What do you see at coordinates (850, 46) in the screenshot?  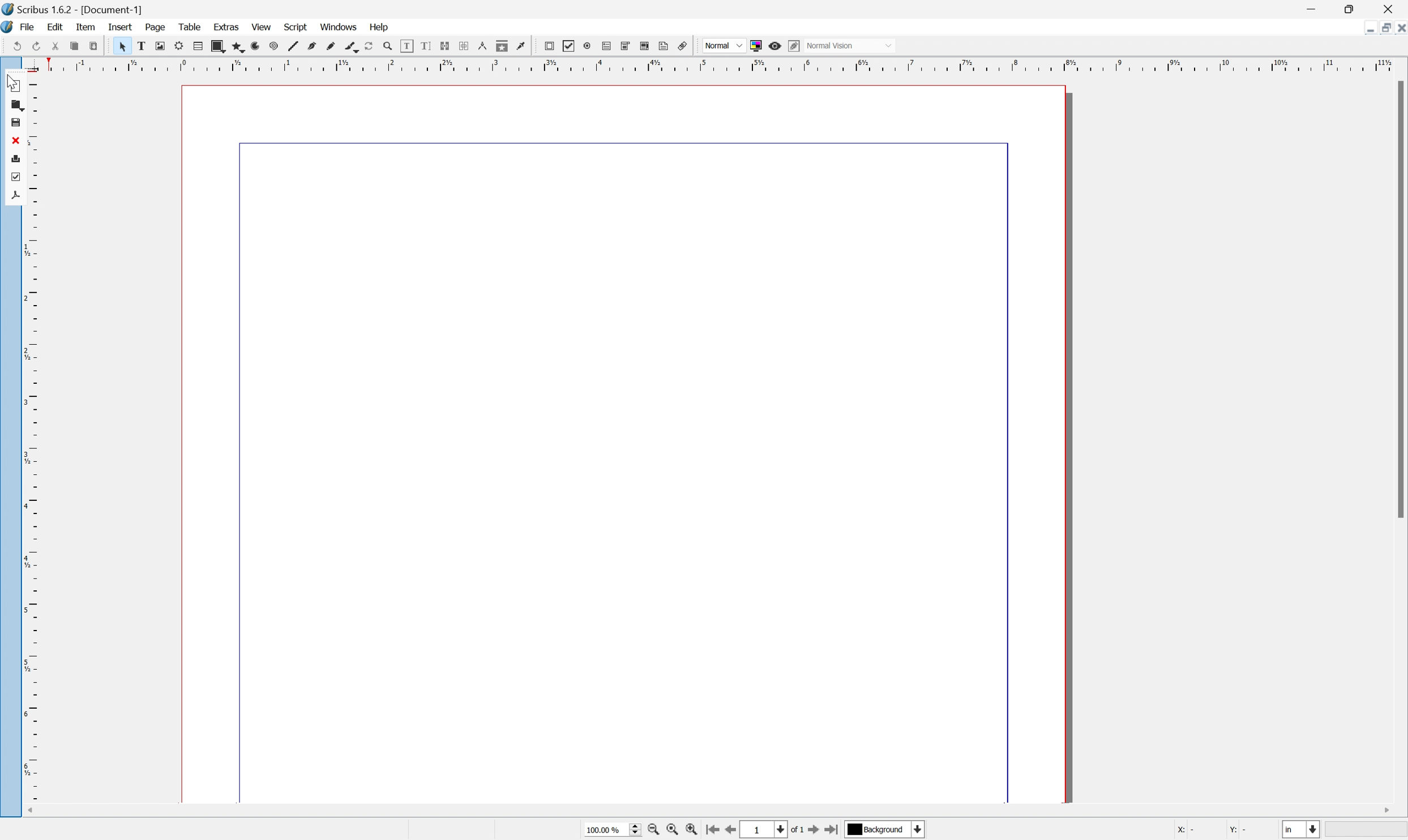 I see `Normal` at bounding box center [850, 46].